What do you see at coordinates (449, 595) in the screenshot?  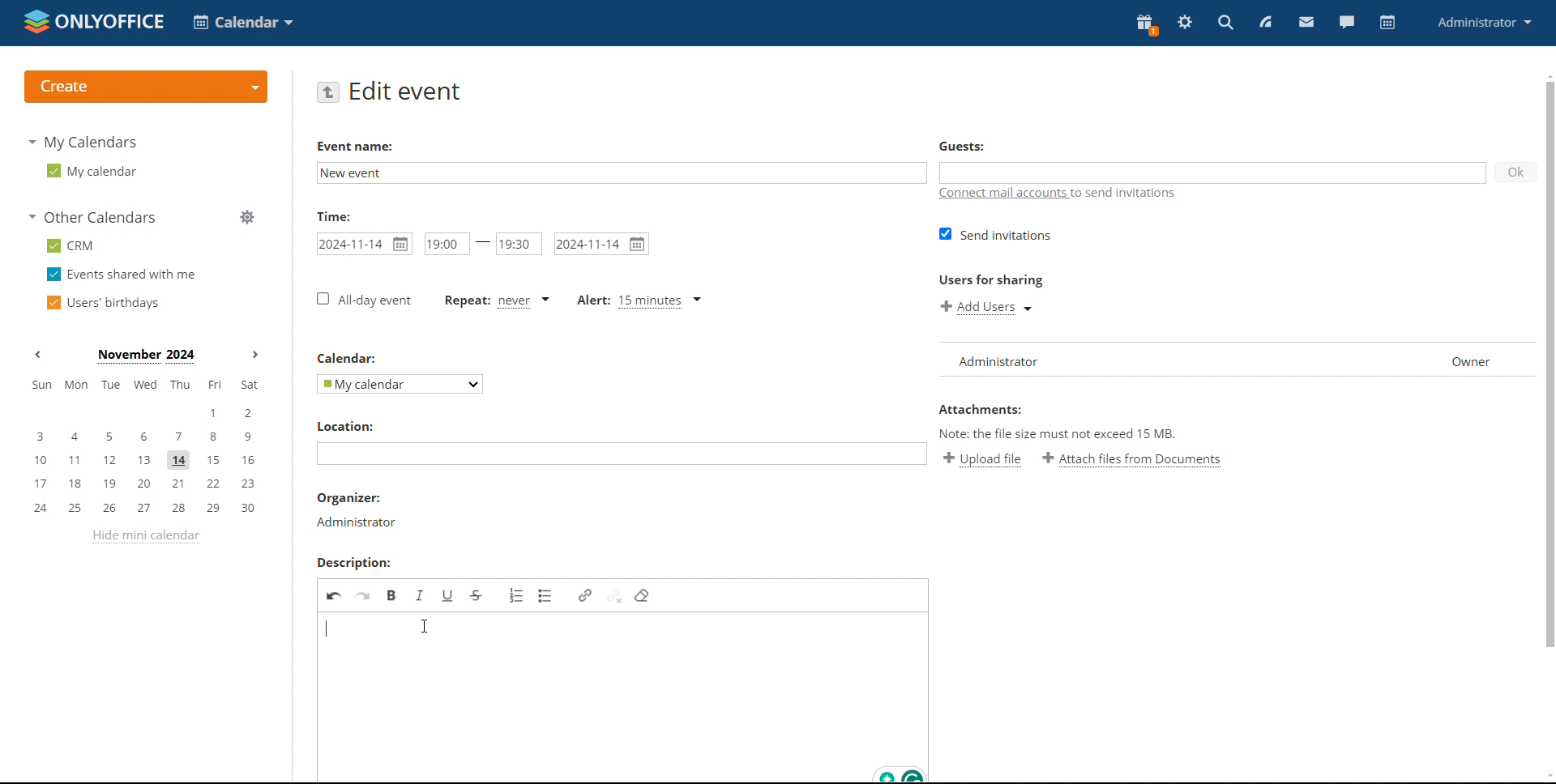 I see `underline` at bounding box center [449, 595].